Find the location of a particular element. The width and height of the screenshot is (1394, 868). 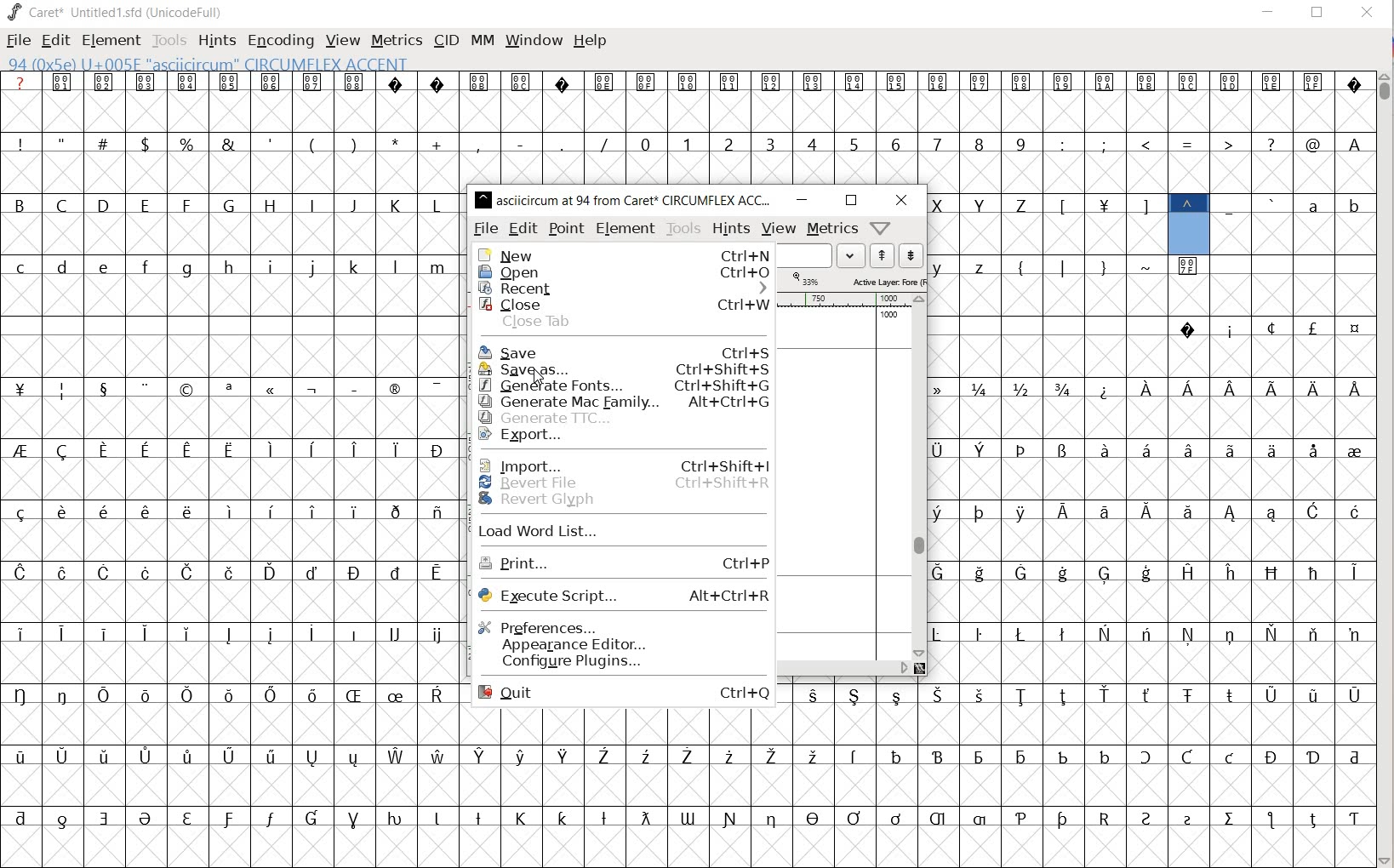

scrollbar is located at coordinates (920, 477).